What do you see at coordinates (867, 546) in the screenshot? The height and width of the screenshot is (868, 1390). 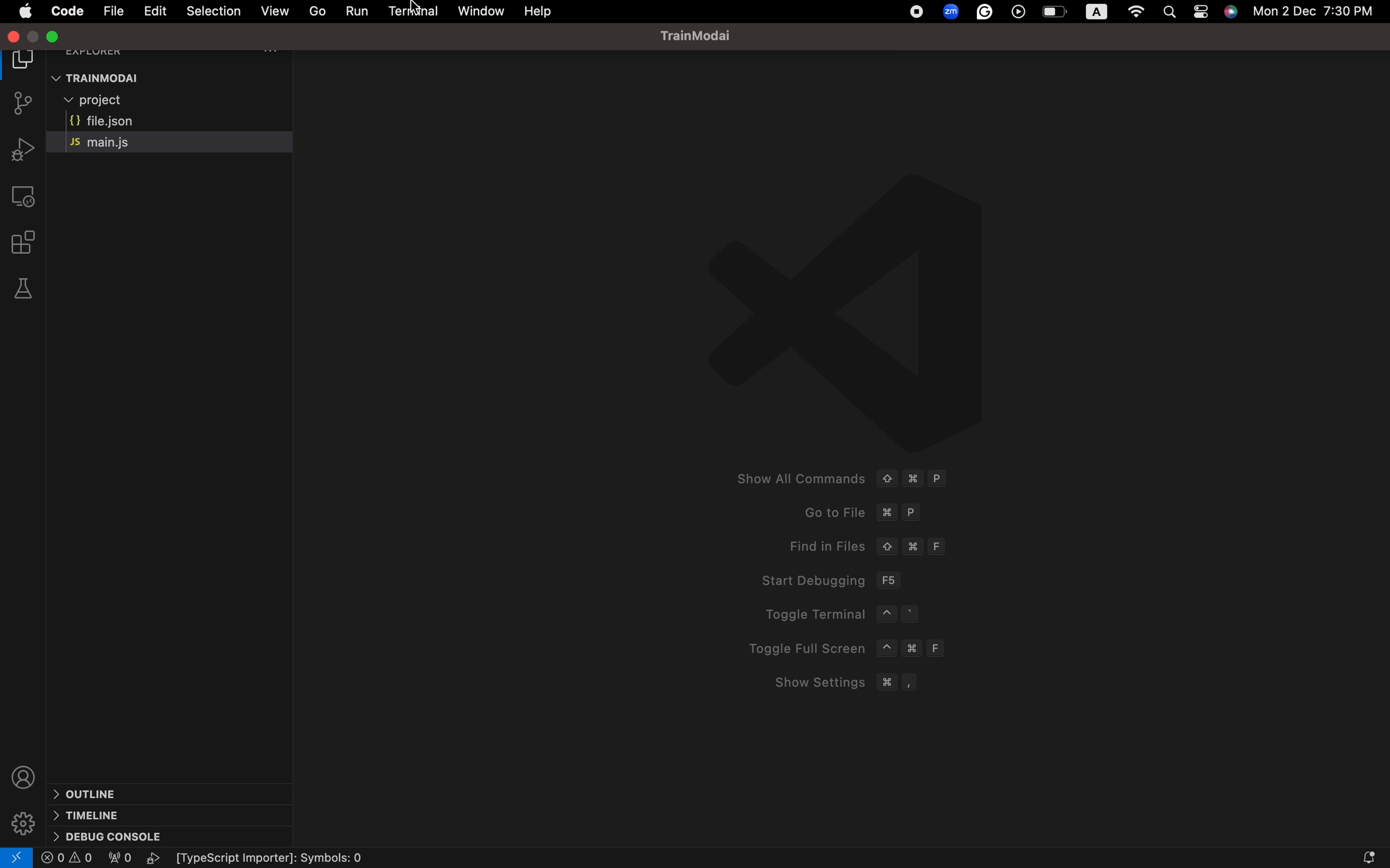 I see `Find Files` at bounding box center [867, 546].